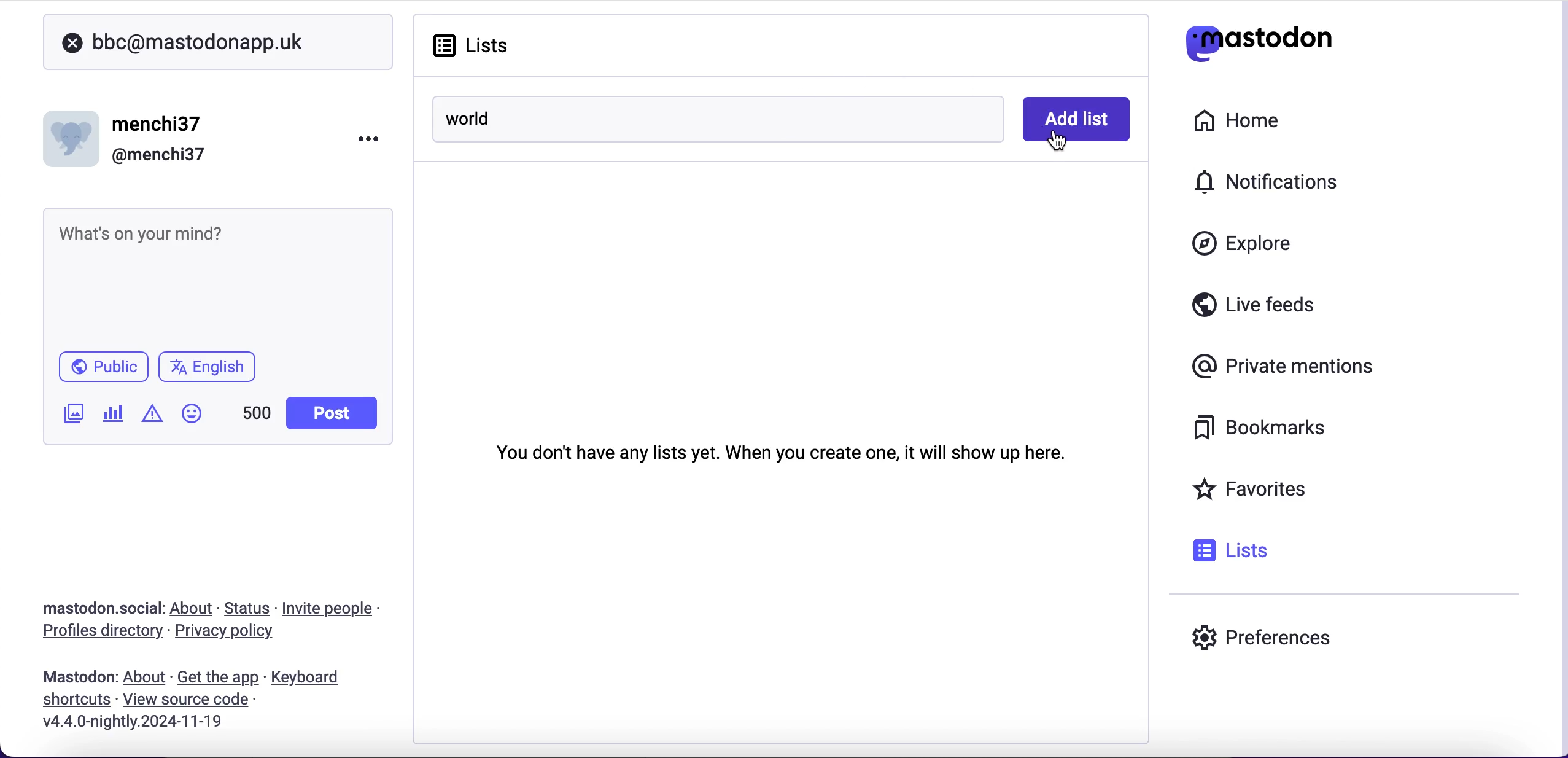 Image resolution: width=1568 pixels, height=758 pixels. Describe the element at coordinates (86, 609) in the screenshot. I see `mastodon social` at that location.